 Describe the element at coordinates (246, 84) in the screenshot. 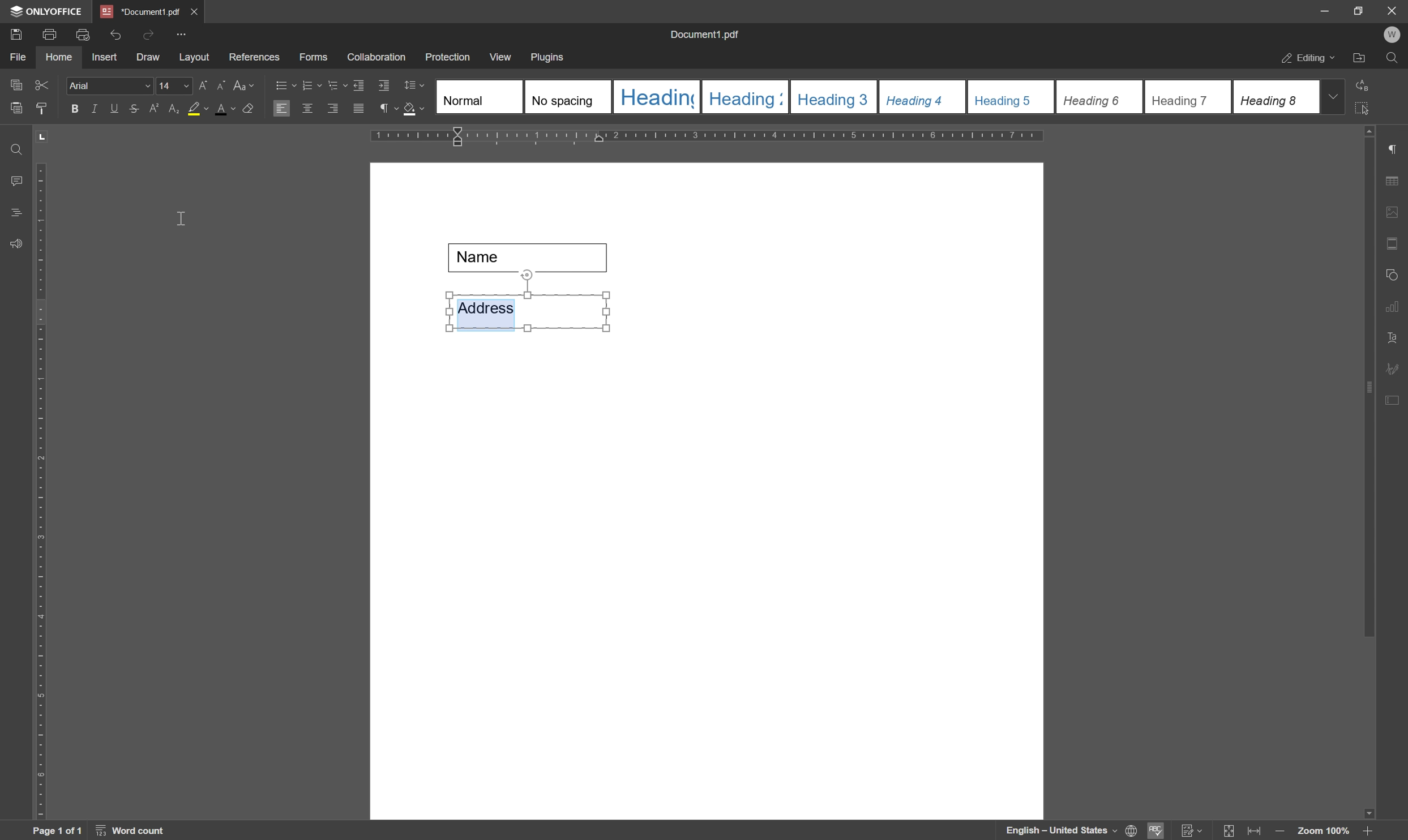

I see `change case` at that location.